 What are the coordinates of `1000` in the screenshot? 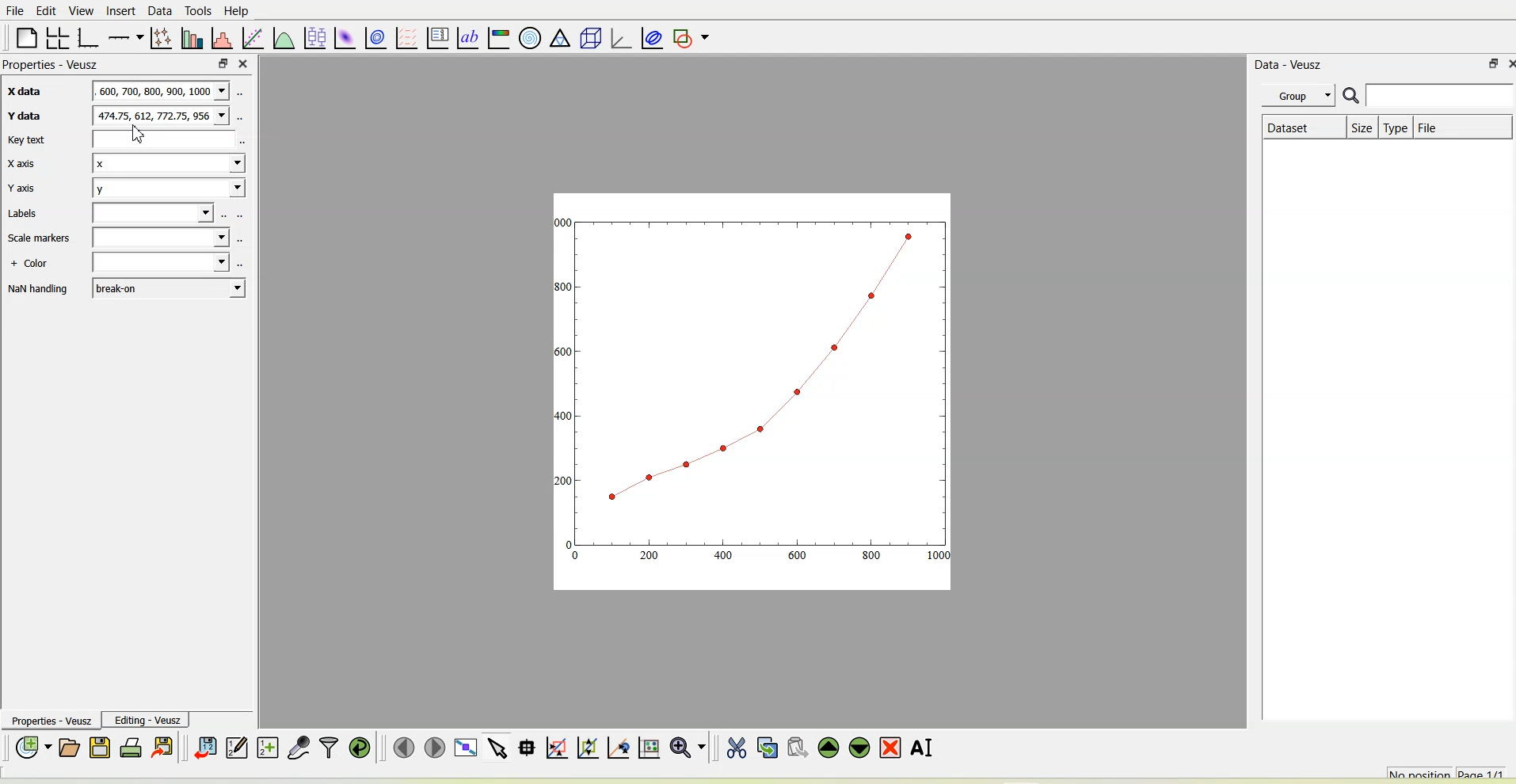 It's located at (563, 222).